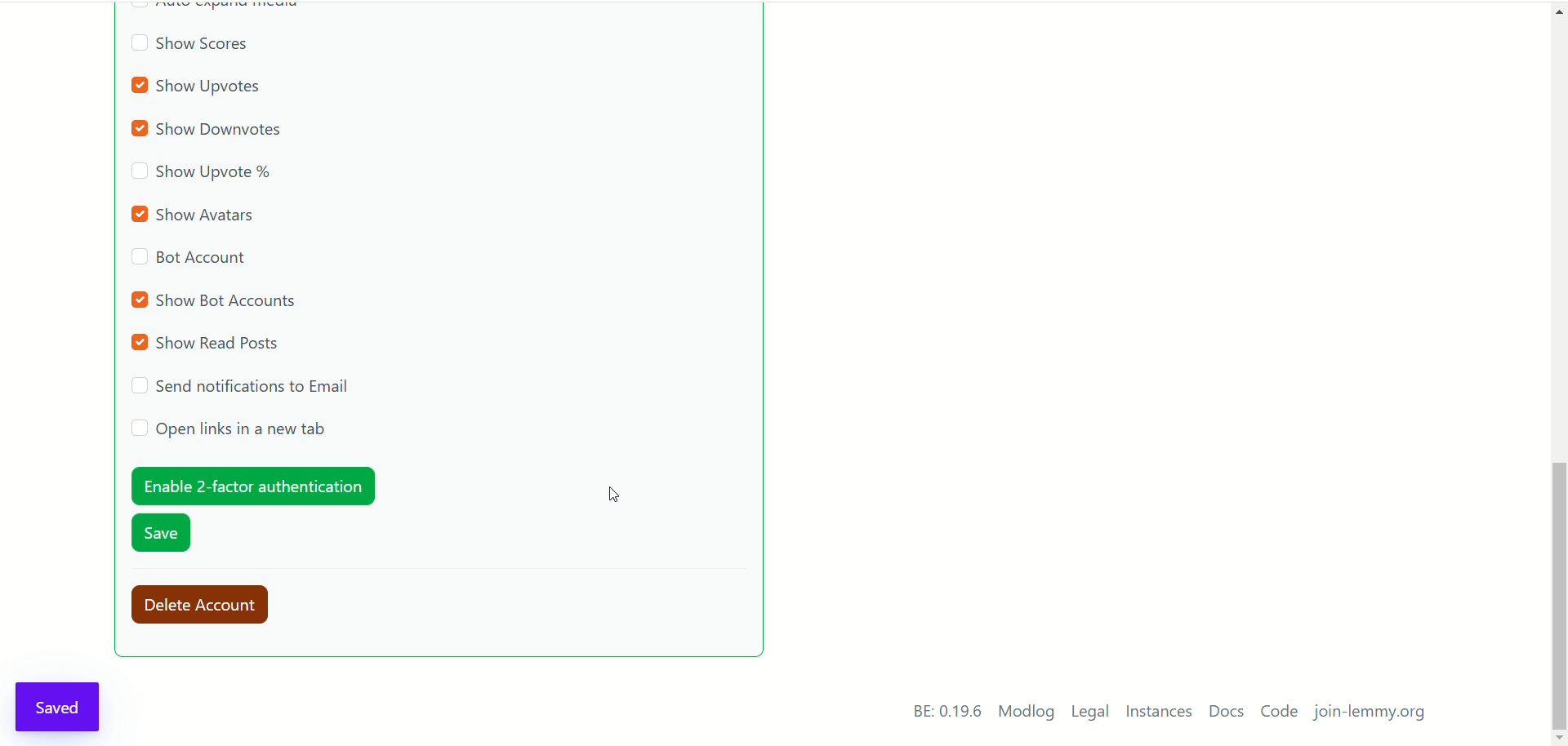  I want to click on code, so click(1280, 713).